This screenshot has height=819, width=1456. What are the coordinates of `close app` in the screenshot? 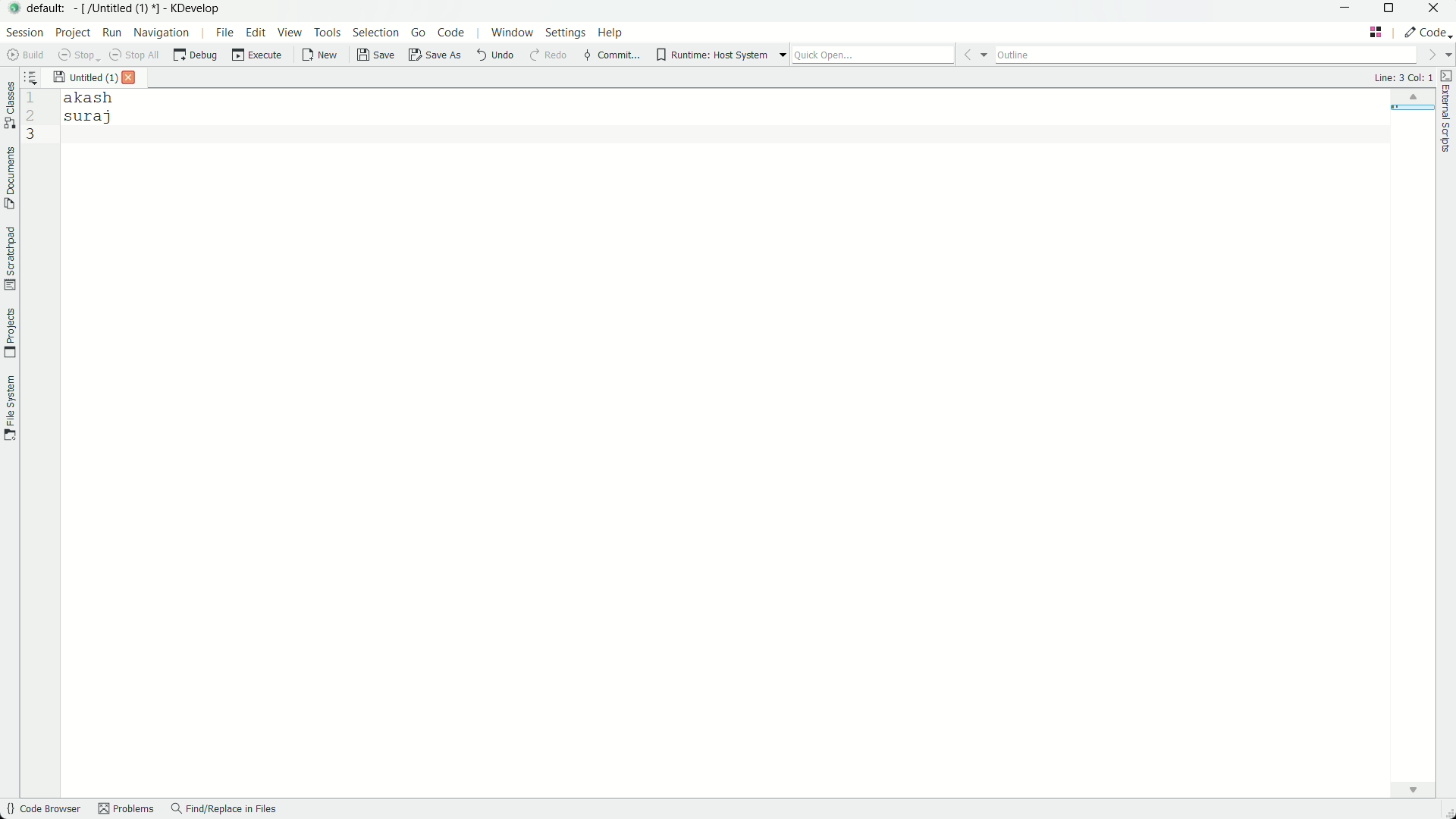 It's located at (1437, 10).